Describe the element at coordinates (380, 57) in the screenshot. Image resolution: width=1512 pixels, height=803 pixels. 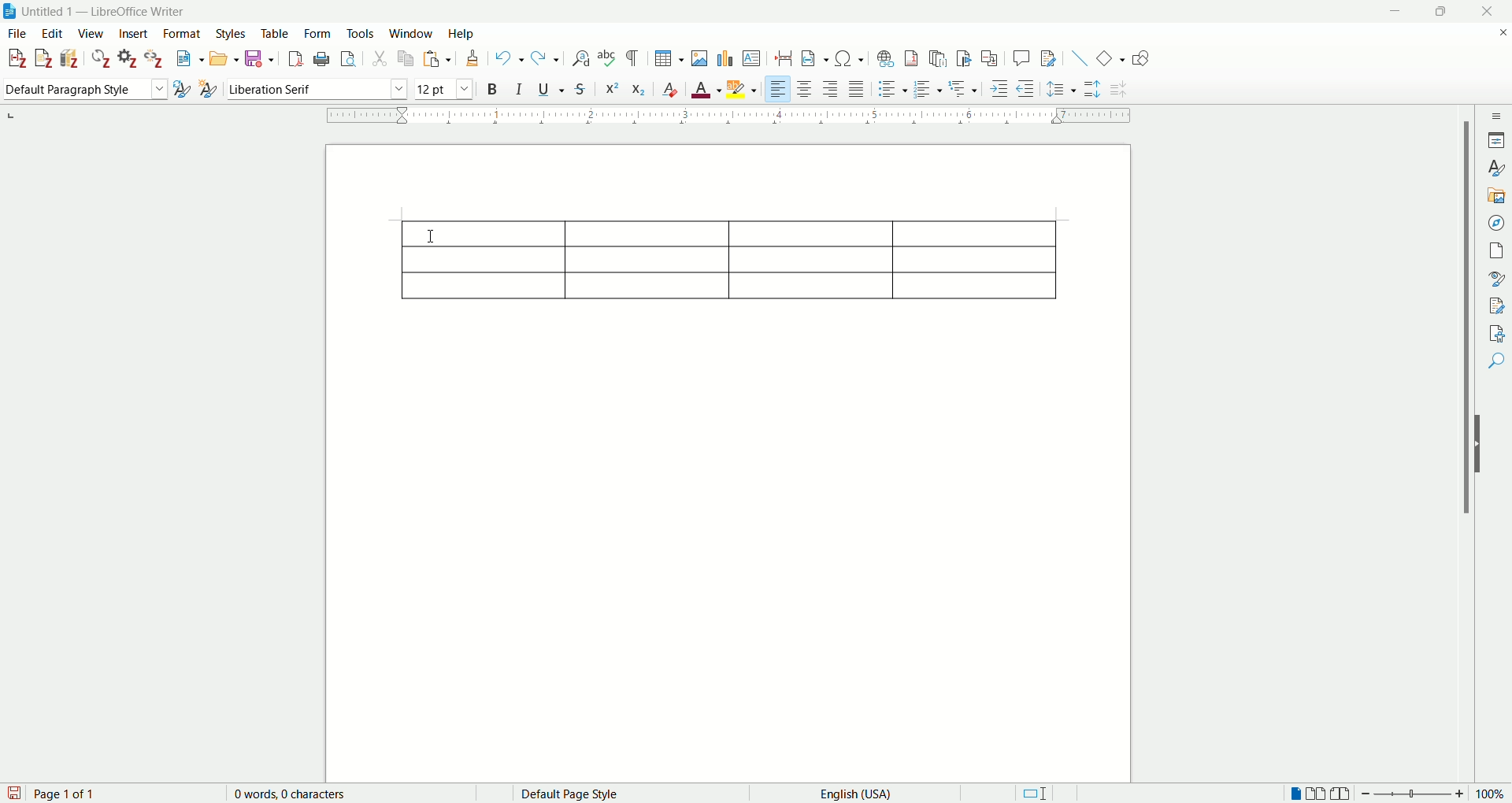
I see `cut` at that location.